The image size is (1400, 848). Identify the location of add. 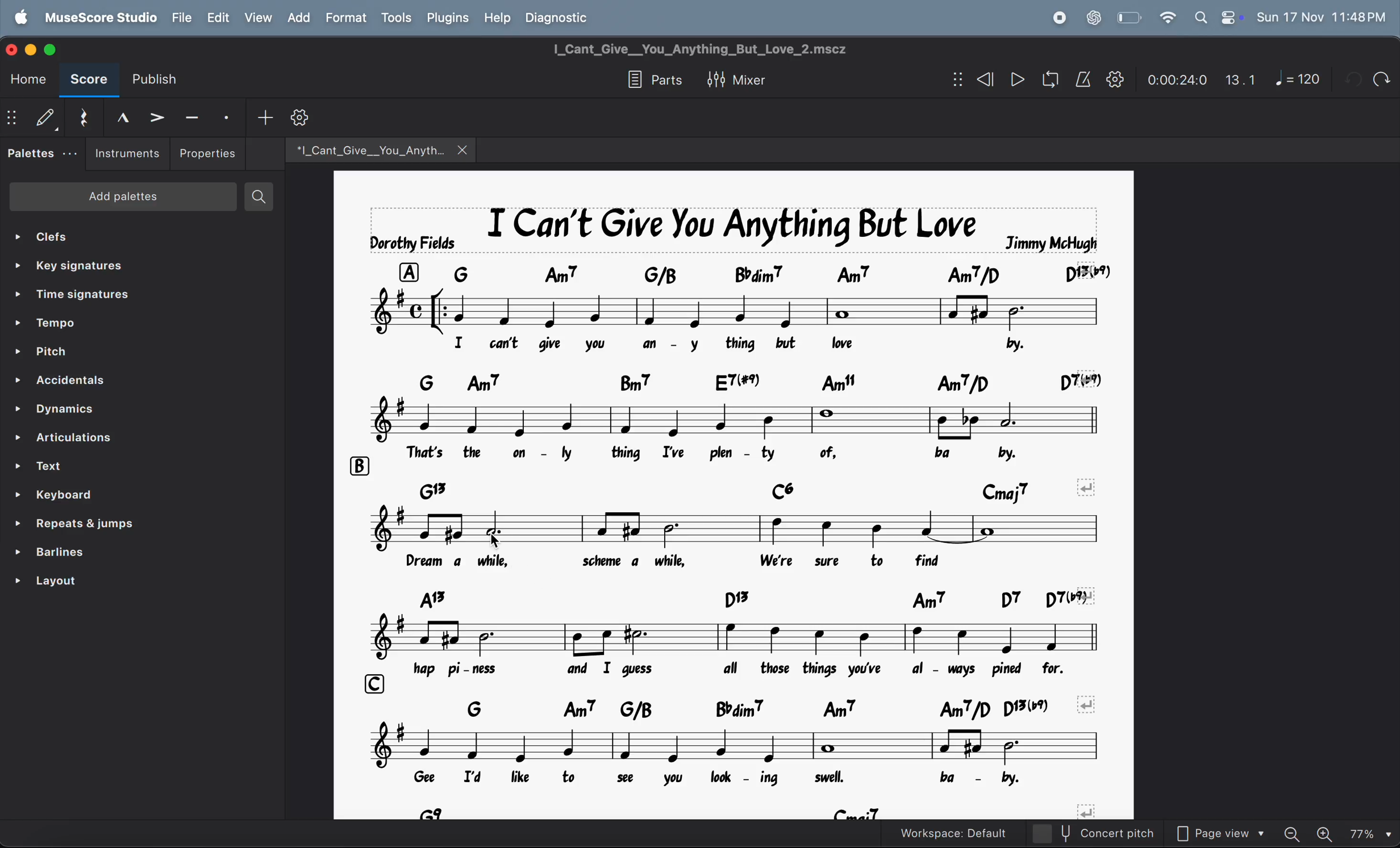
(299, 18).